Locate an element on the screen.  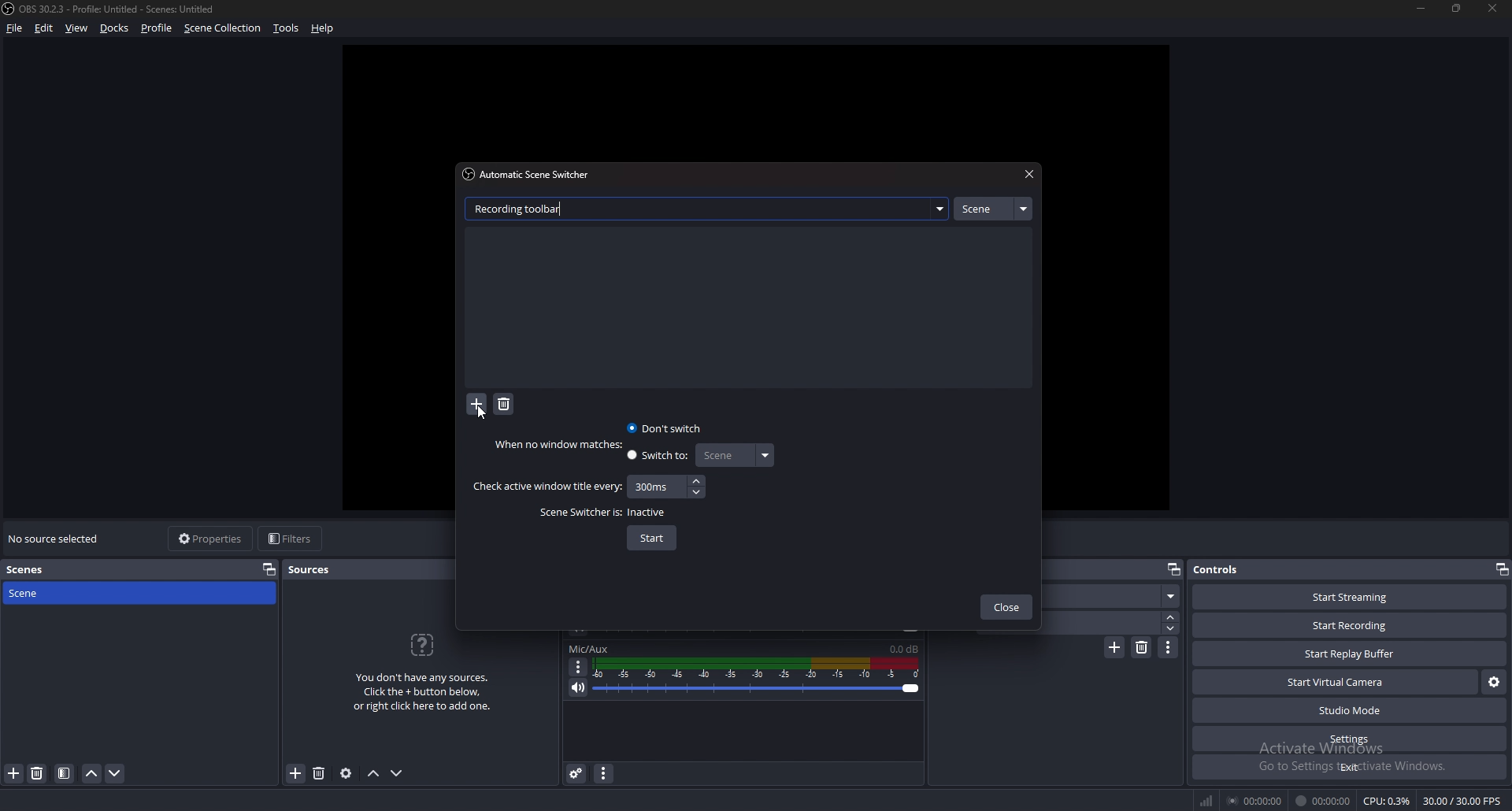
start streaming is located at coordinates (1351, 597).